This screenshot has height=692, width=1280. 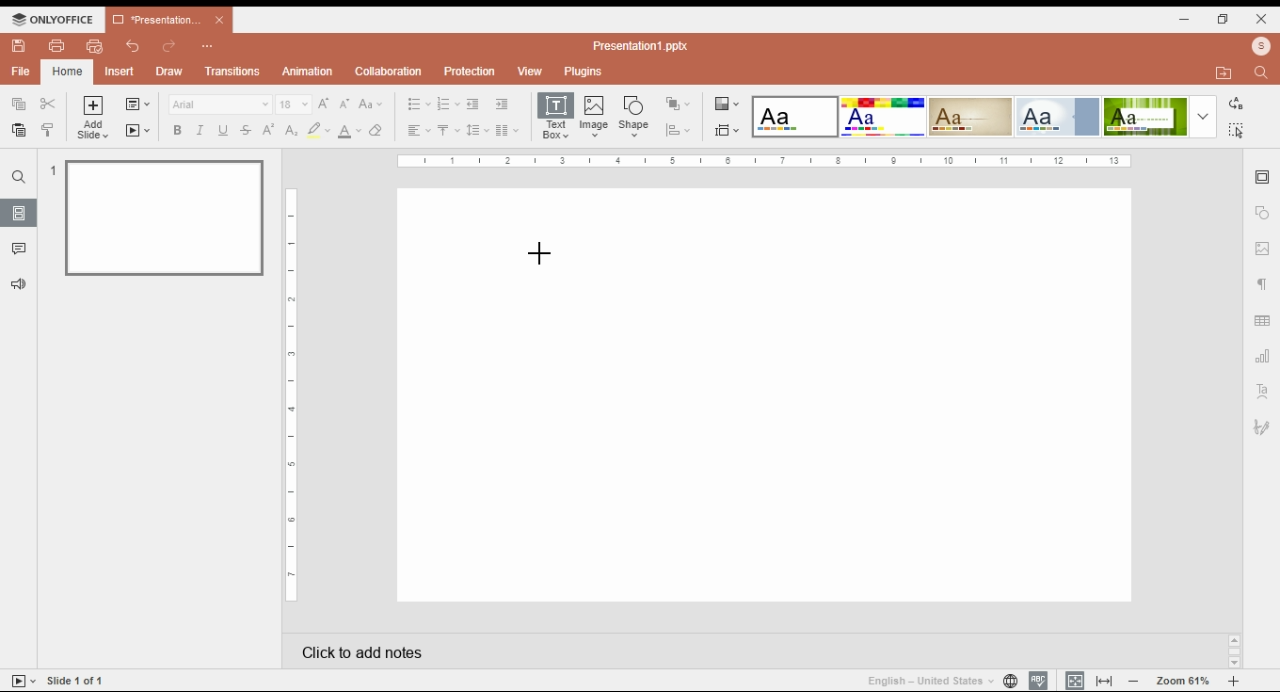 I want to click on open file location, so click(x=1227, y=72).